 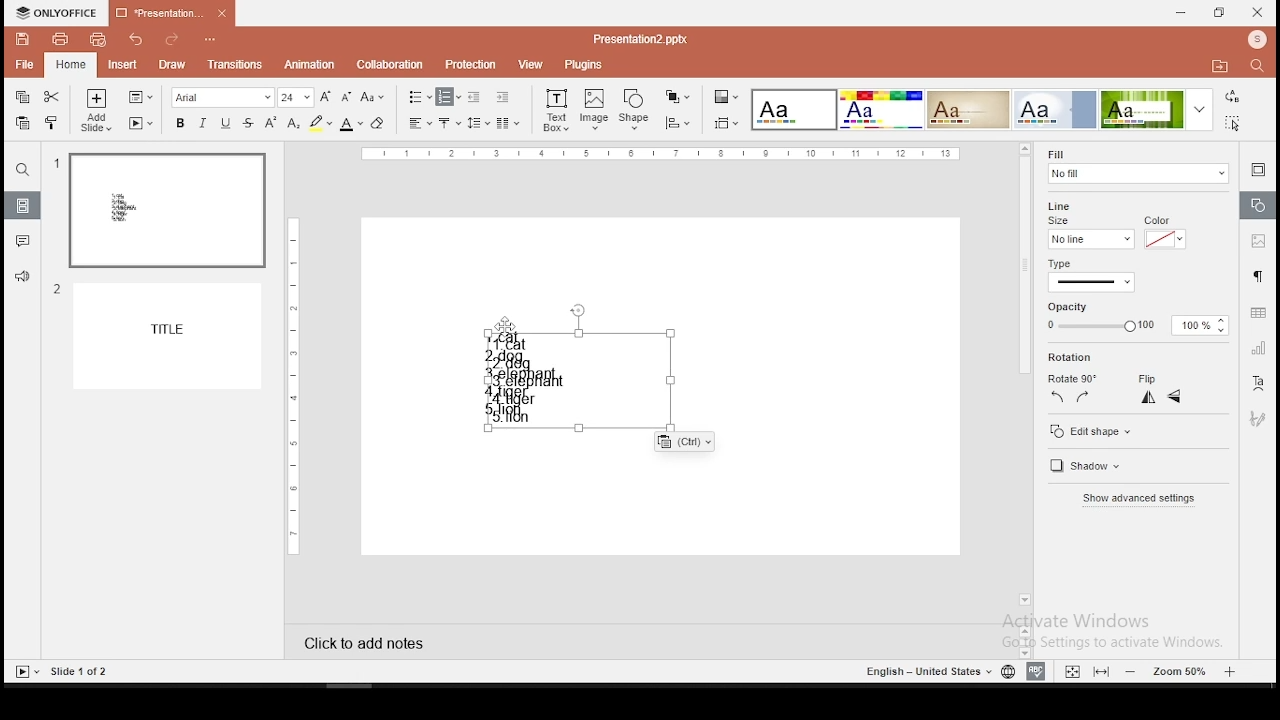 What do you see at coordinates (72, 64) in the screenshot?
I see `home` at bounding box center [72, 64].